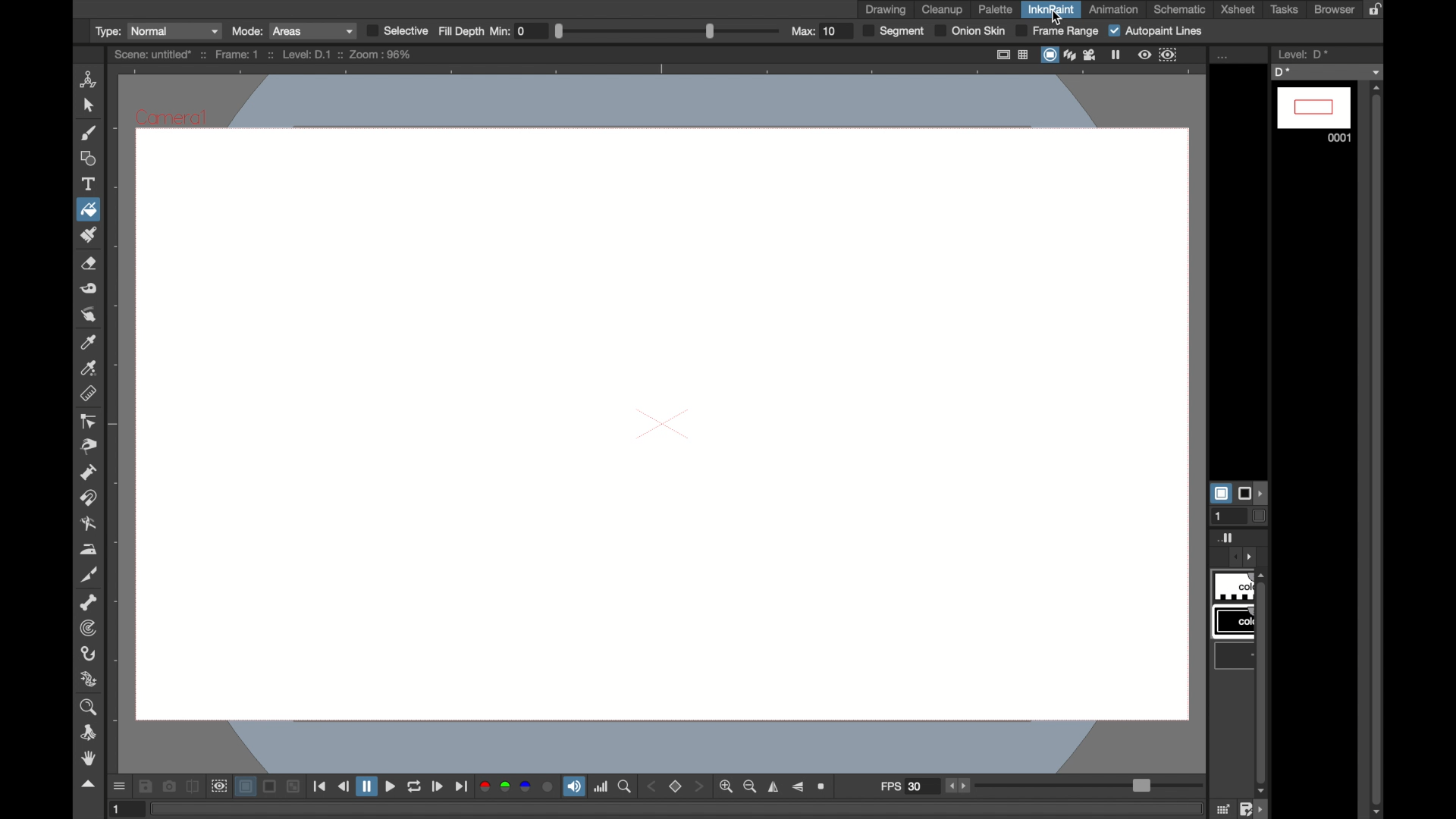 Image resolution: width=1456 pixels, height=819 pixels. What do you see at coordinates (1313, 115) in the screenshot?
I see `level` at bounding box center [1313, 115].